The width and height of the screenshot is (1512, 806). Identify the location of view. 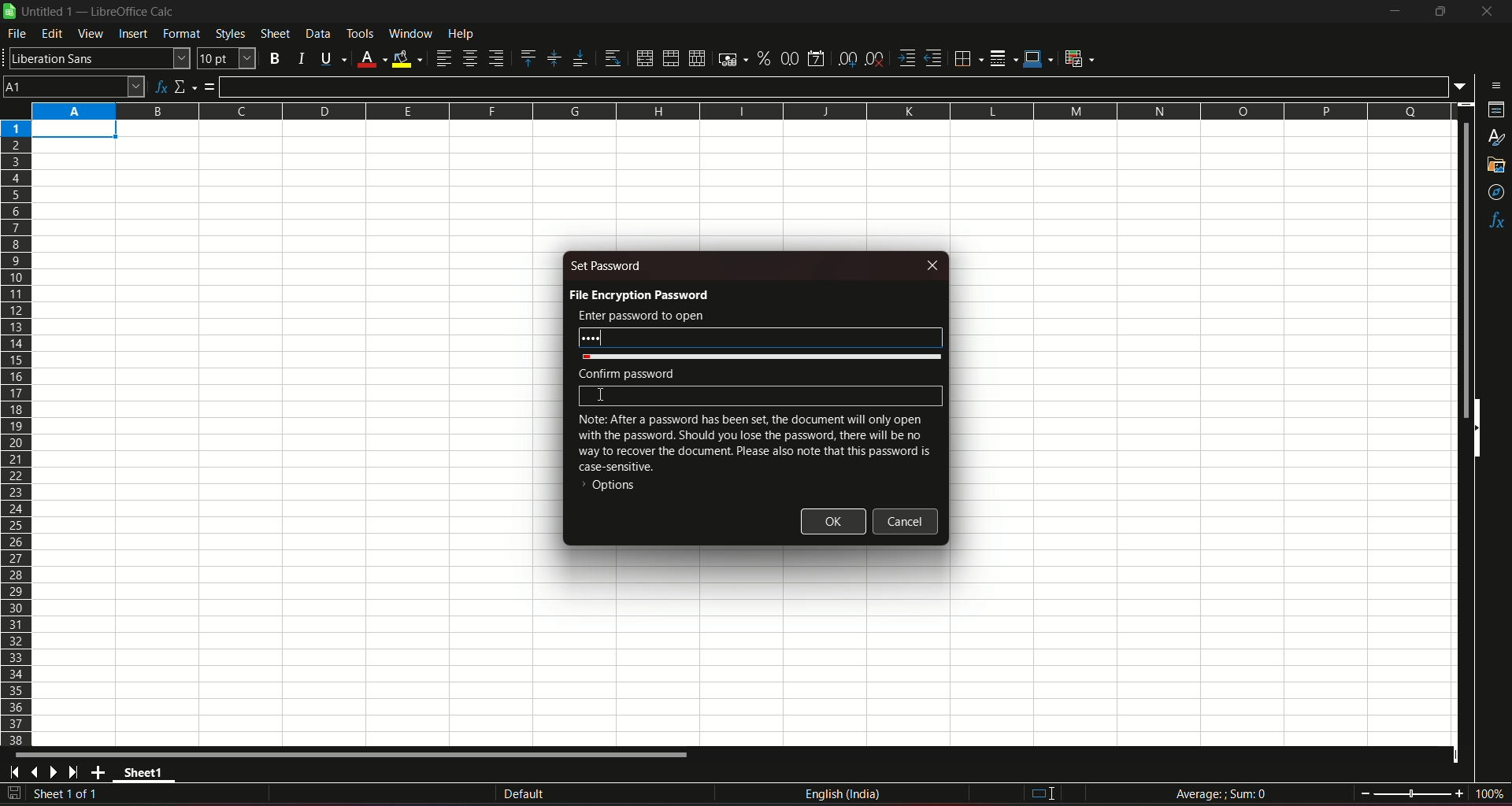
(91, 34).